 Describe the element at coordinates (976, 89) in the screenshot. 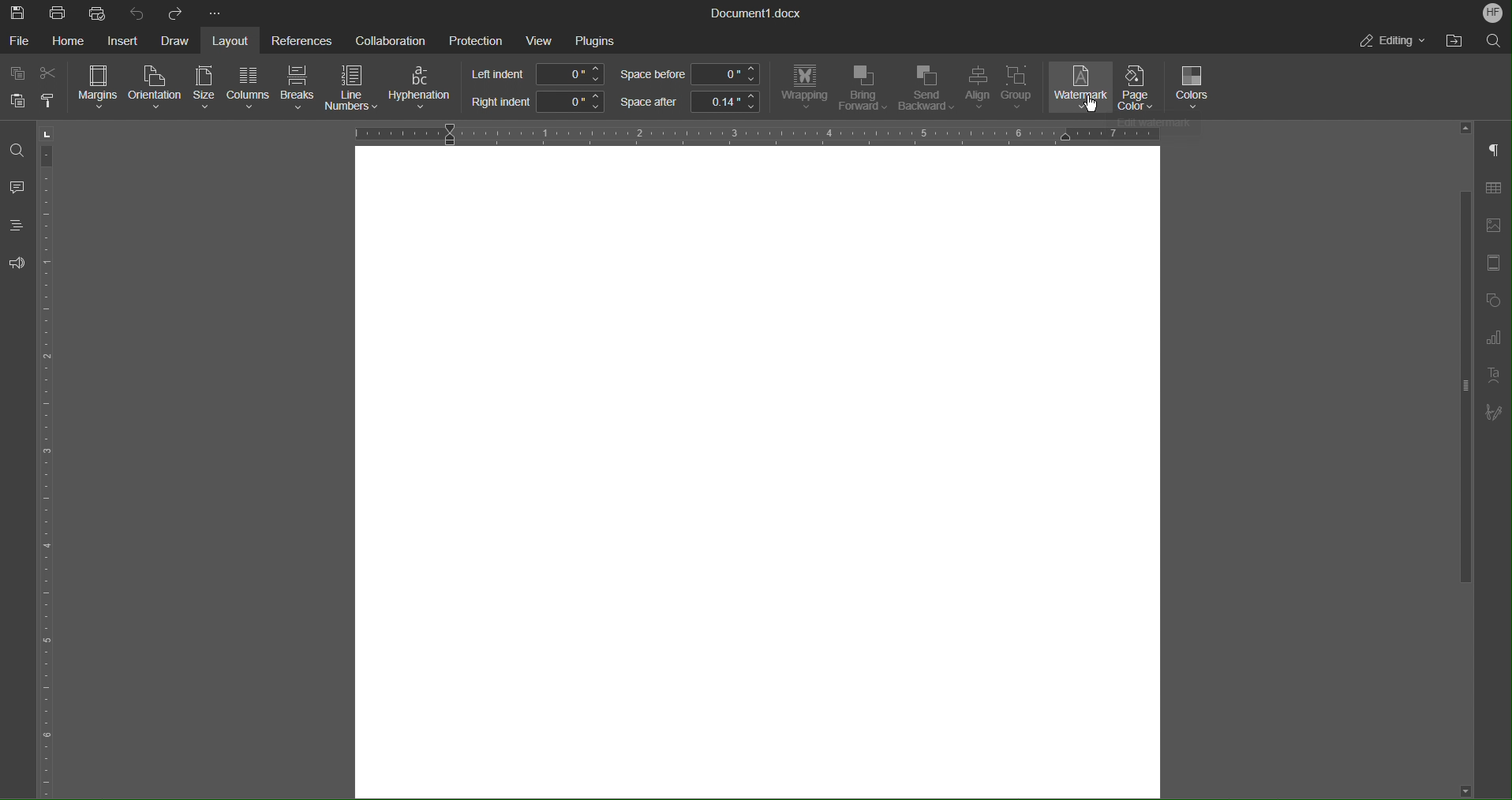

I see `Align` at that location.